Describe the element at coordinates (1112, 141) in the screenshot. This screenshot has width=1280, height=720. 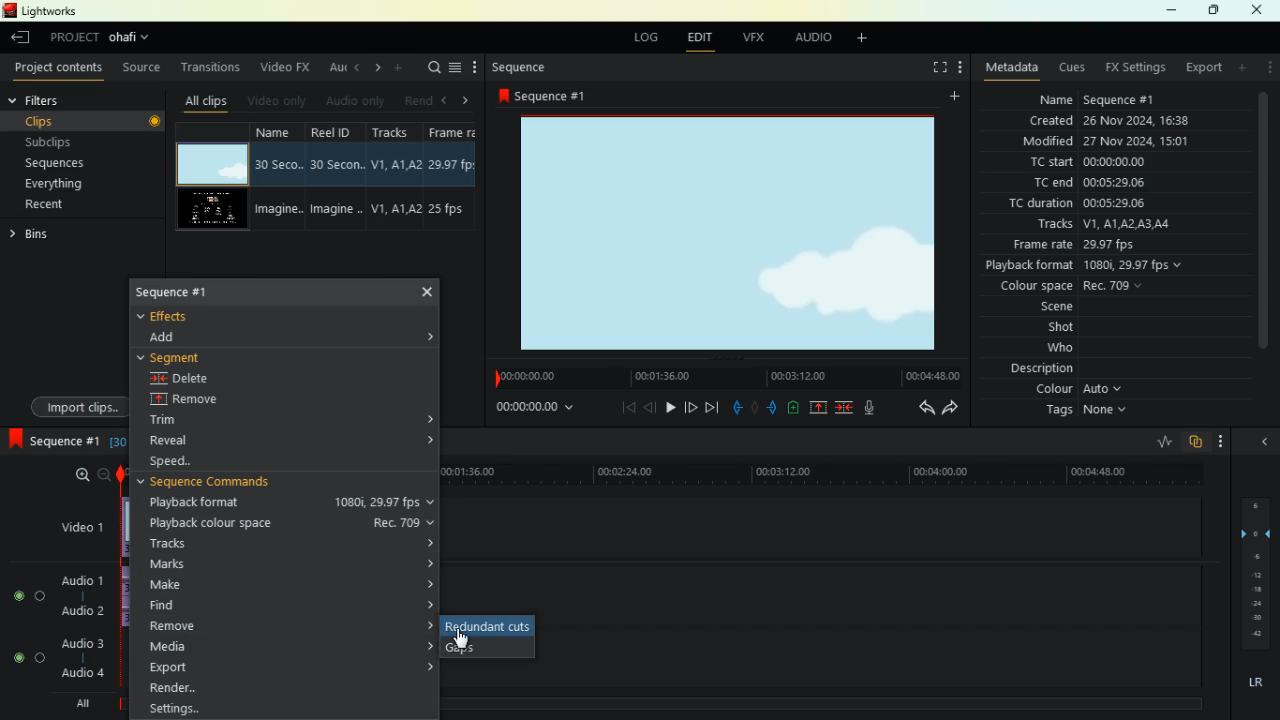
I see `modified 27 Nov 2024, 15:01` at that location.